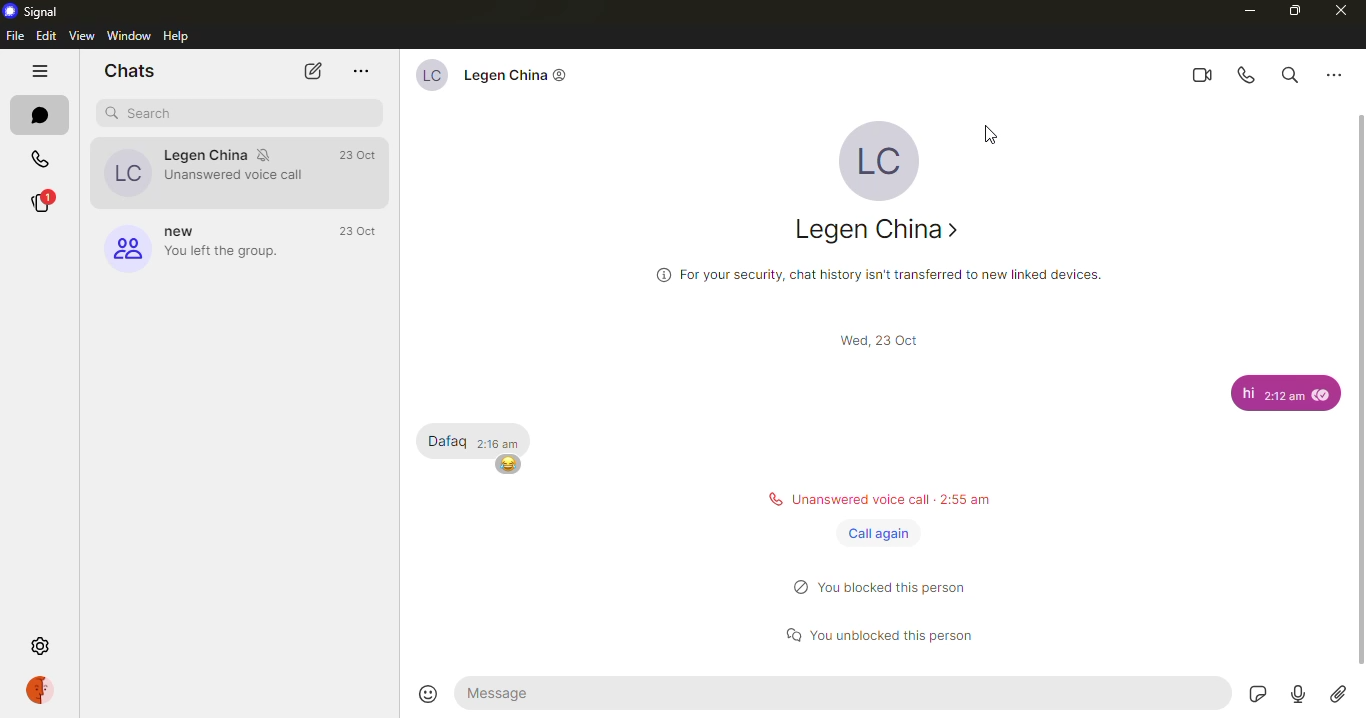 The image size is (1366, 718). What do you see at coordinates (81, 34) in the screenshot?
I see `view` at bounding box center [81, 34].